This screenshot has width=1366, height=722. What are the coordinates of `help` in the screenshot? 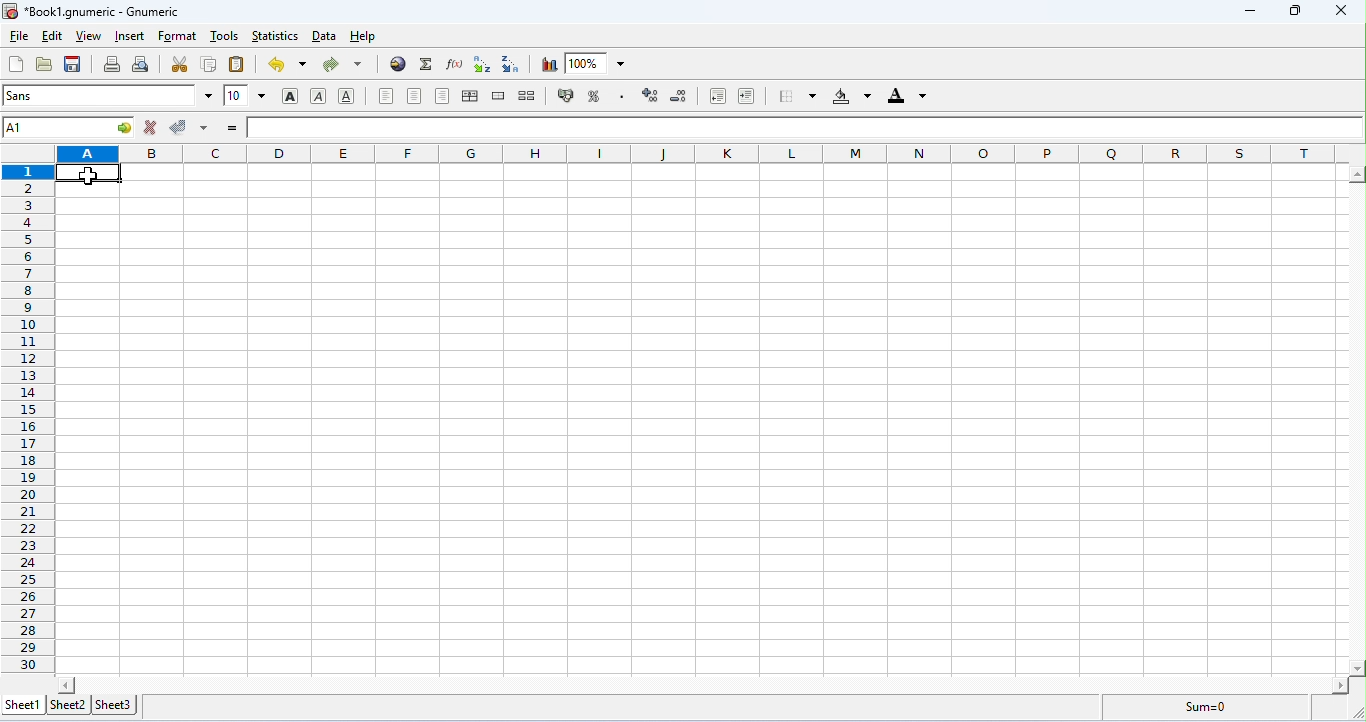 It's located at (362, 36).